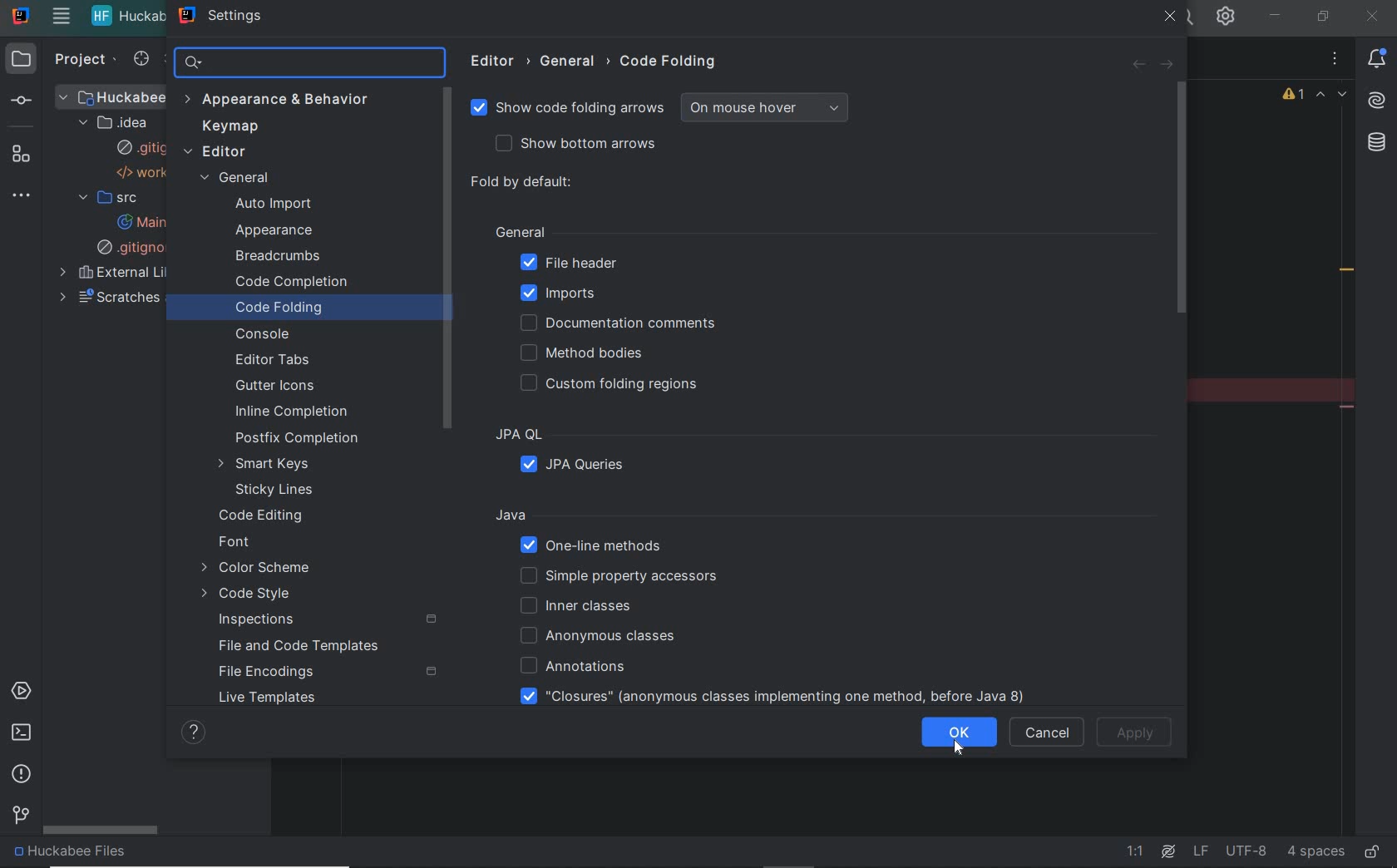 The height and width of the screenshot is (868, 1397). What do you see at coordinates (234, 542) in the screenshot?
I see `font` at bounding box center [234, 542].